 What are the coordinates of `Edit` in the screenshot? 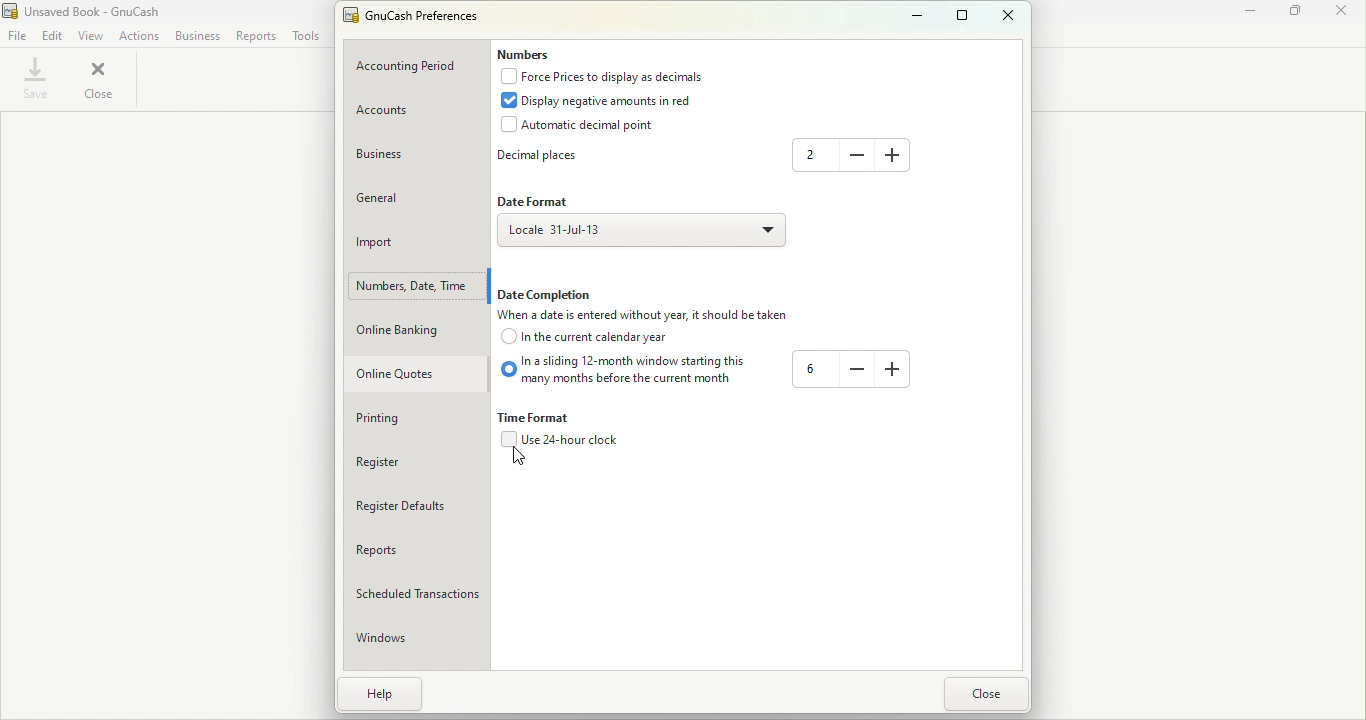 It's located at (53, 34).